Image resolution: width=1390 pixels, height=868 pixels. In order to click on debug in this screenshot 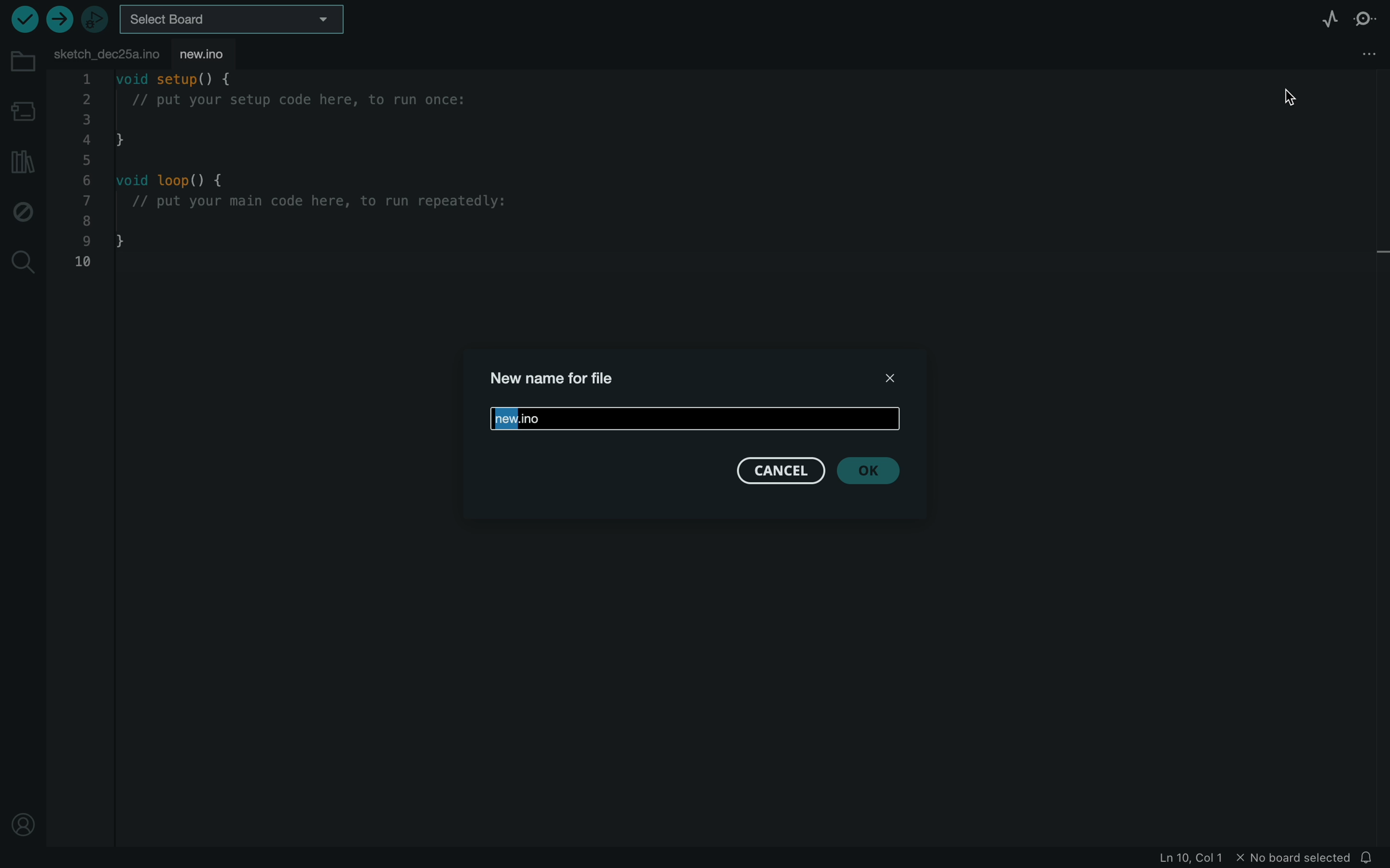, I will do `click(23, 212)`.